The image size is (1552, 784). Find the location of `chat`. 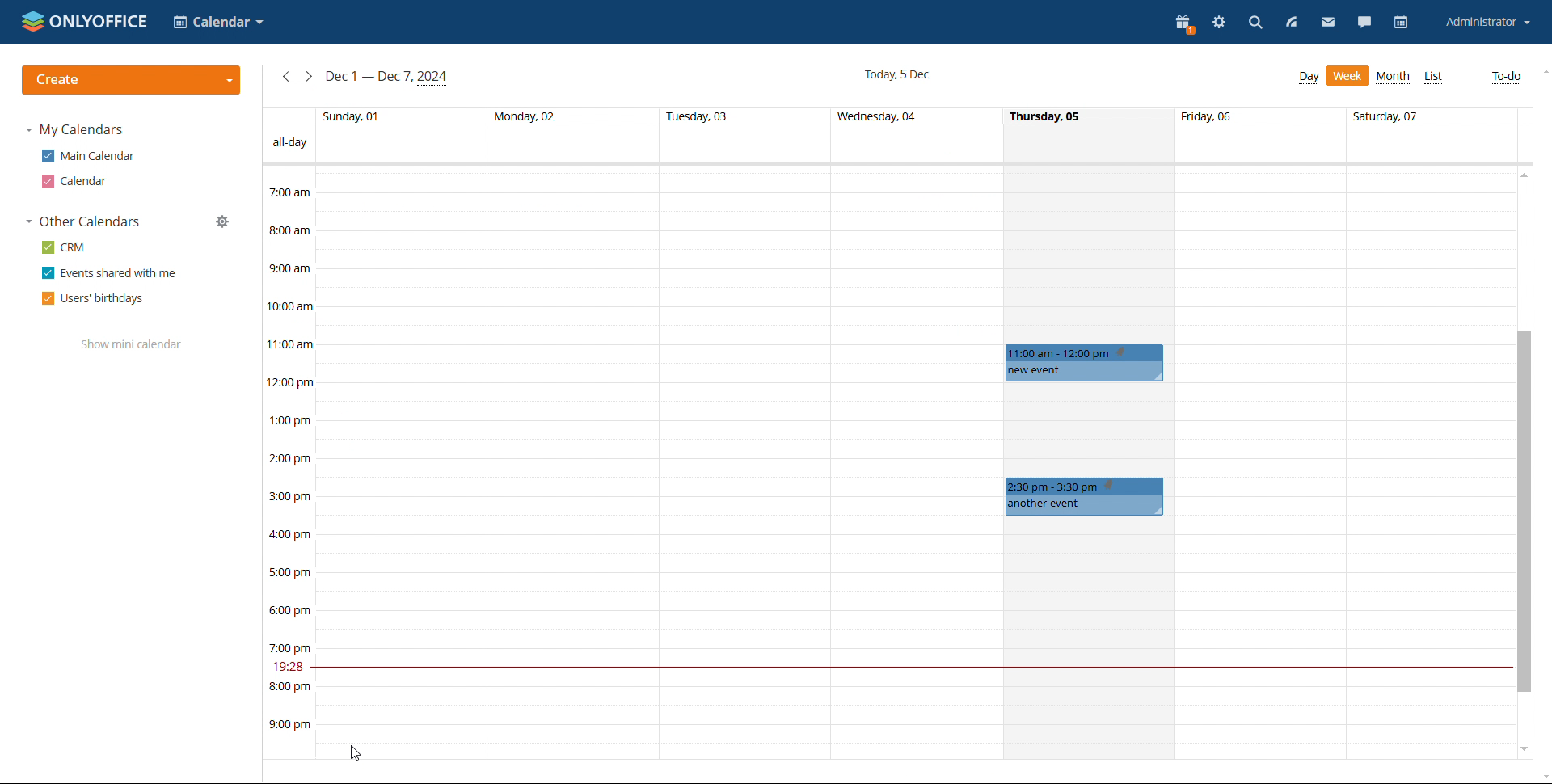

chat is located at coordinates (1364, 24).